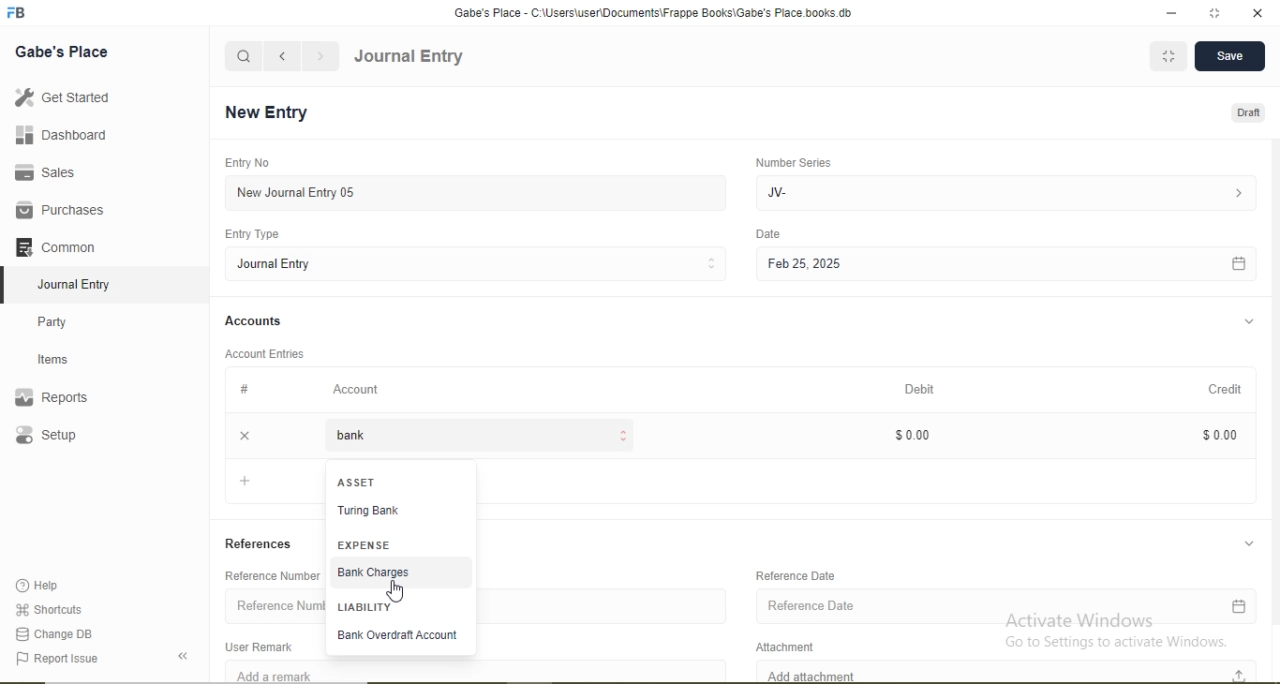 This screenshot has height=684, width=1280. I want to click on MINIMIZE WINDOW, so click(1166, 57).